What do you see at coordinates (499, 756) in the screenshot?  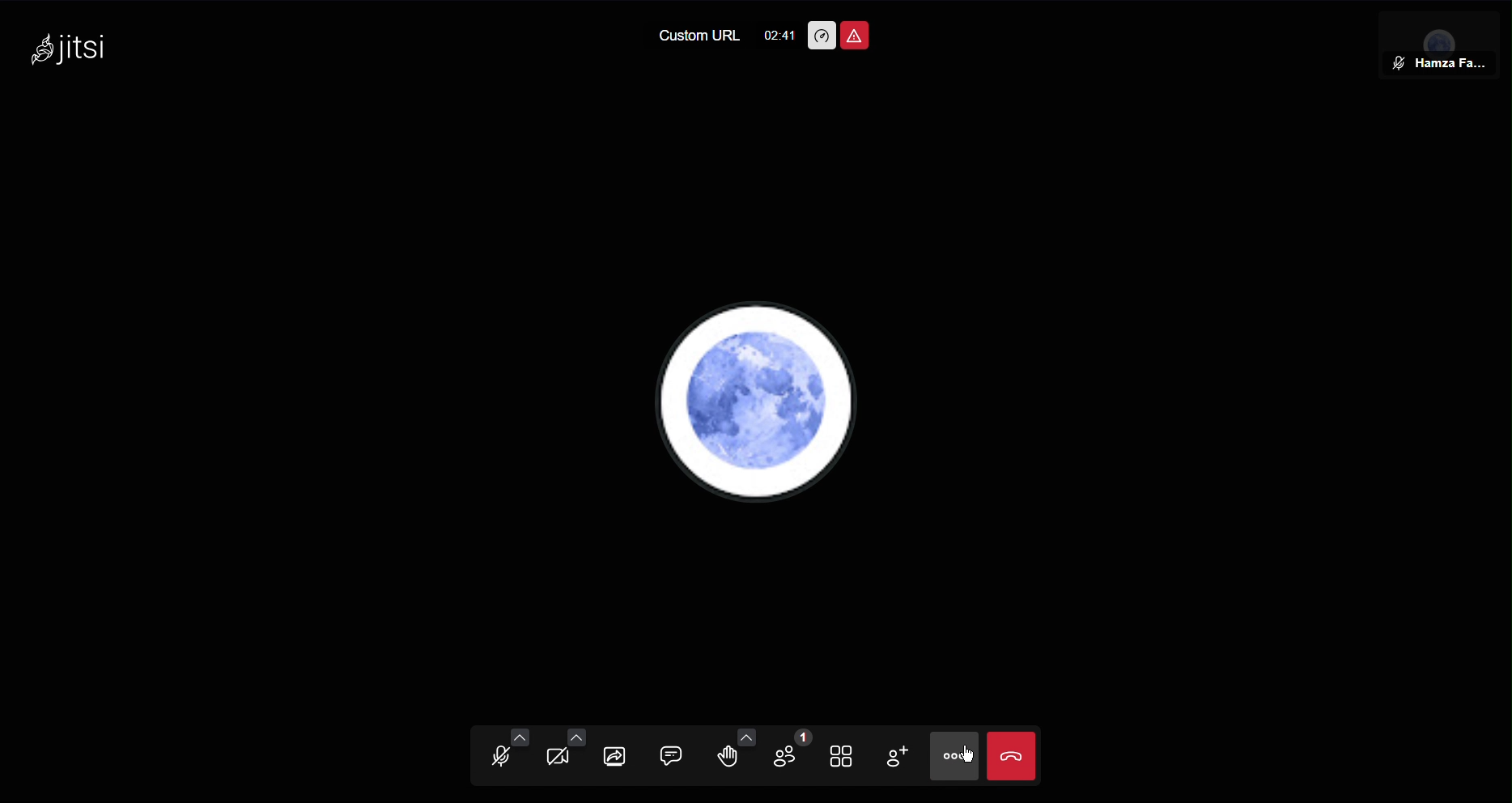 I see `Audio` at bounding box center [499, 756].